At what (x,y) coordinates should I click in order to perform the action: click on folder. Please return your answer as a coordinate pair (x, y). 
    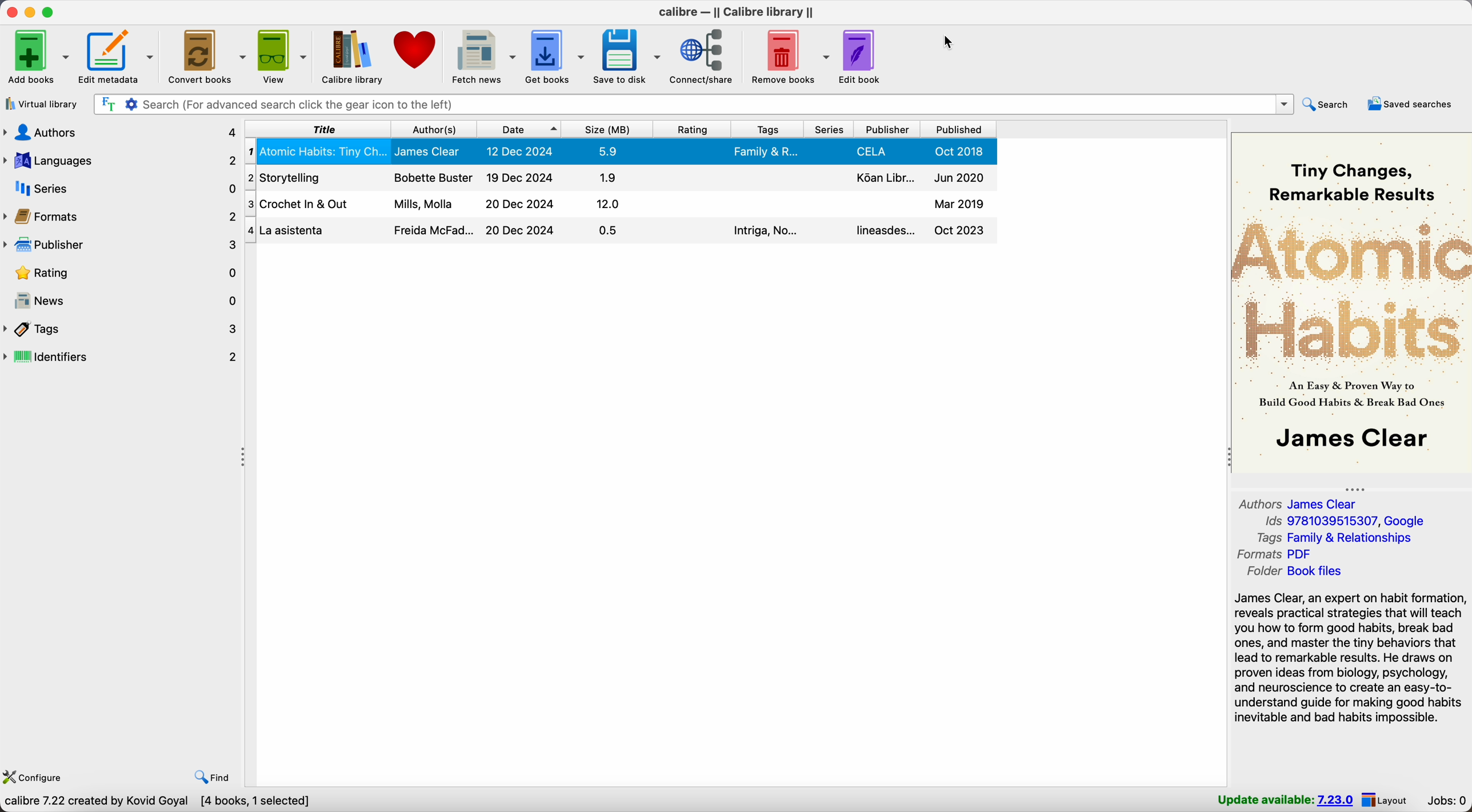
    Looking at the image, I should click on (1293, 573).